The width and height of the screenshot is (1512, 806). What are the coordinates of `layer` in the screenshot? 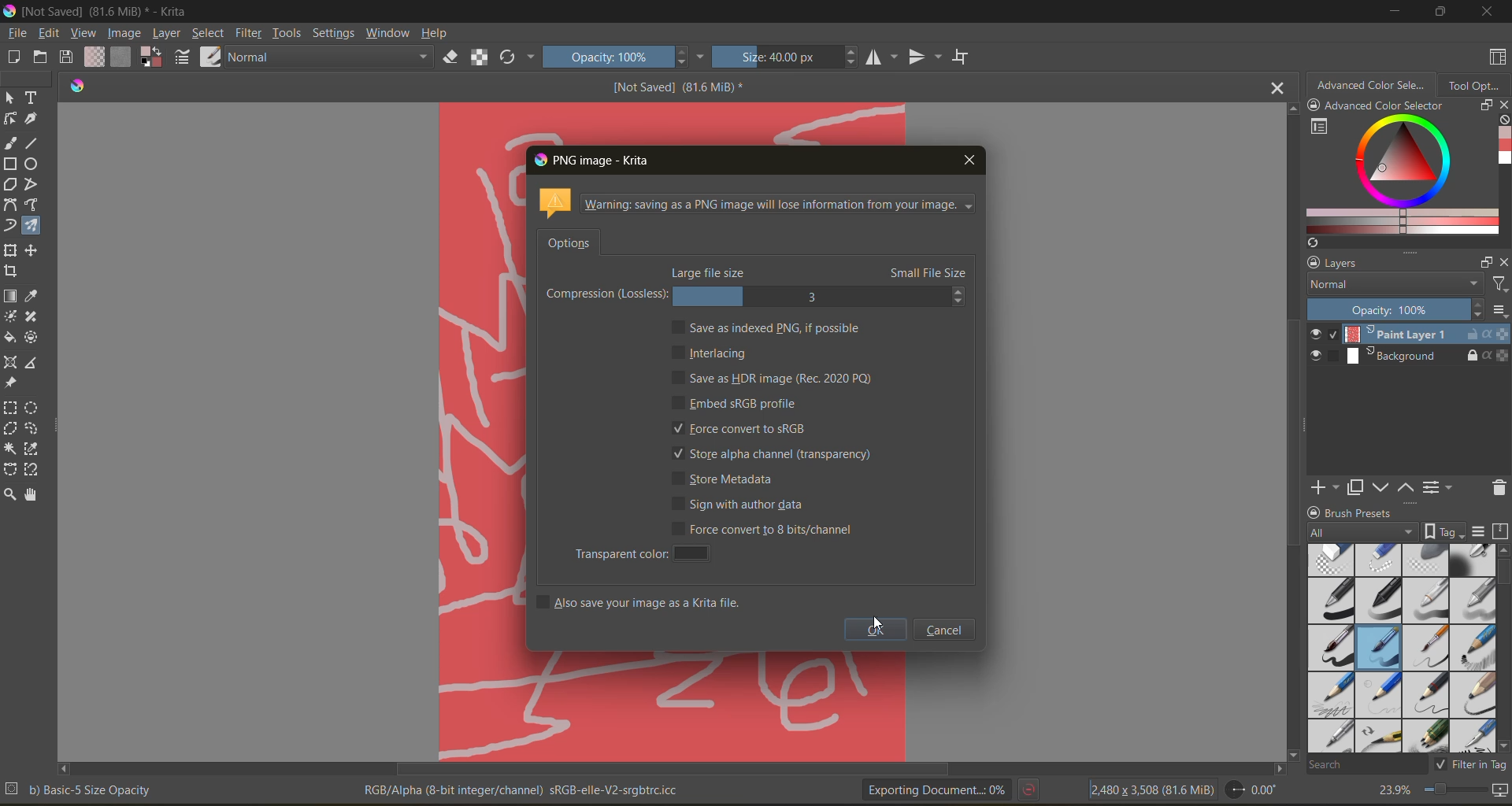 It's located at (166, 34).